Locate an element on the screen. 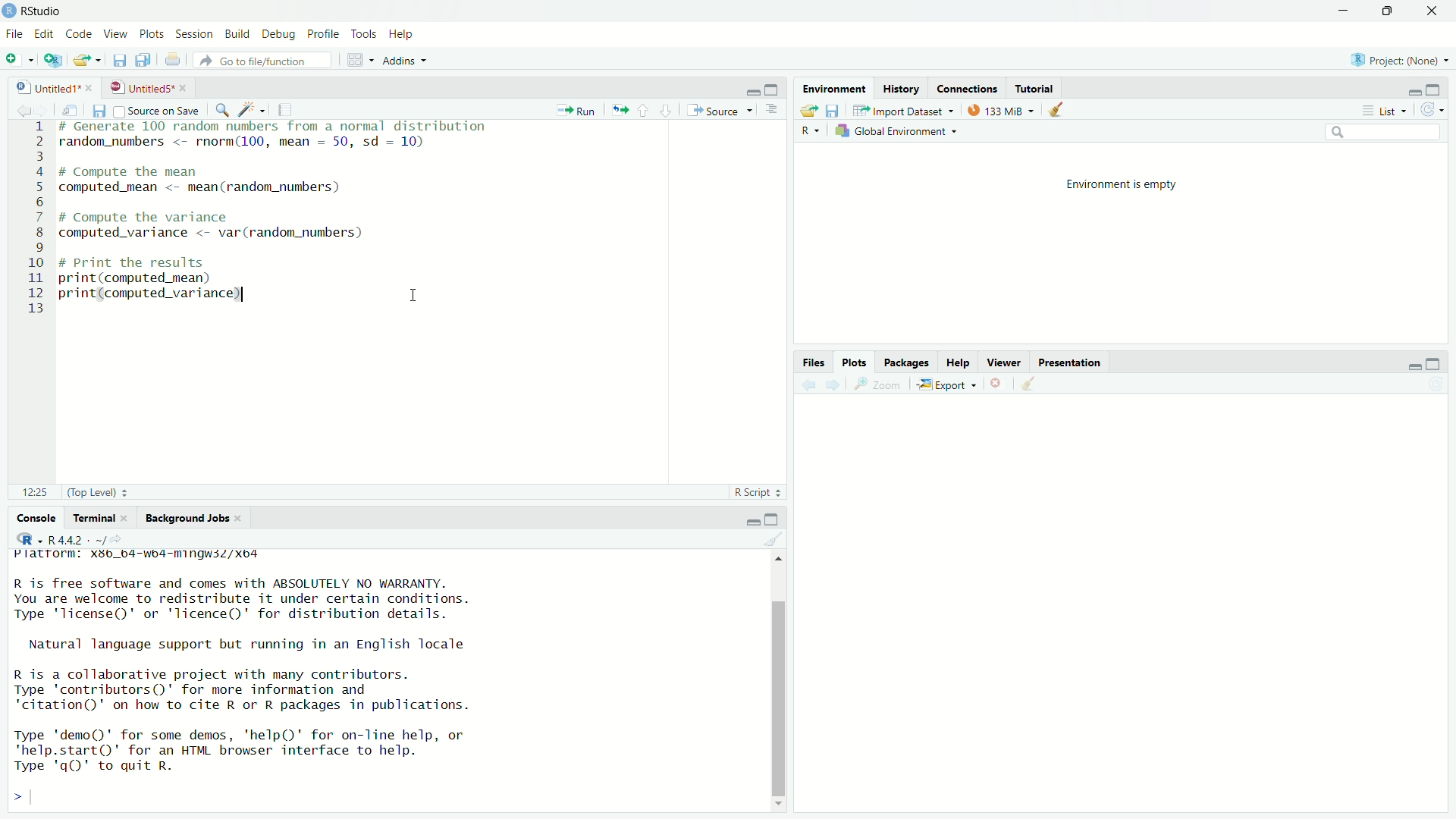 This screenshot has width=1456, height=819. environment is located at coordinates (835, 87).